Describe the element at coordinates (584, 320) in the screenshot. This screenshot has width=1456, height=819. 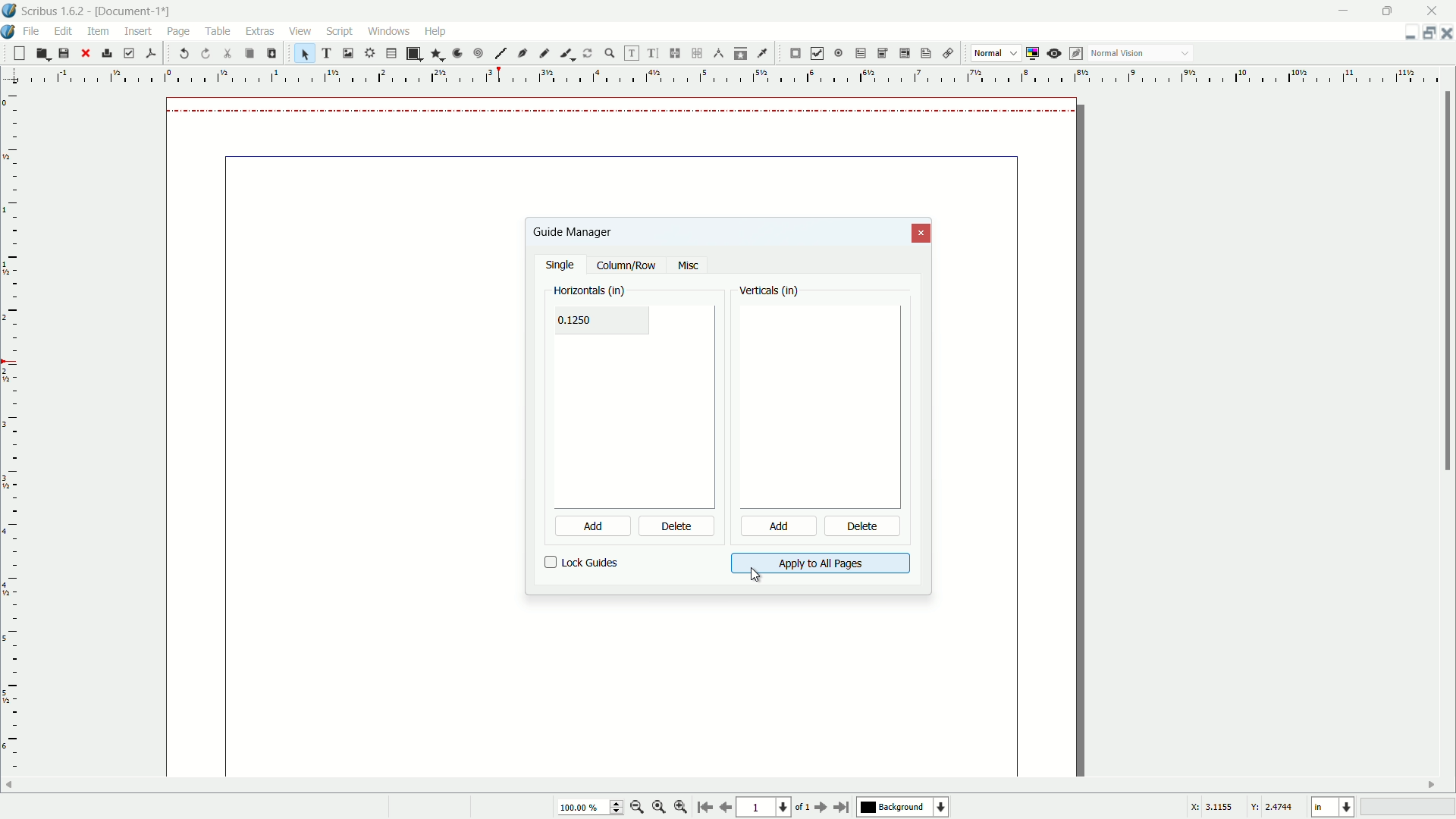
I see `0.1250 in` at that location.